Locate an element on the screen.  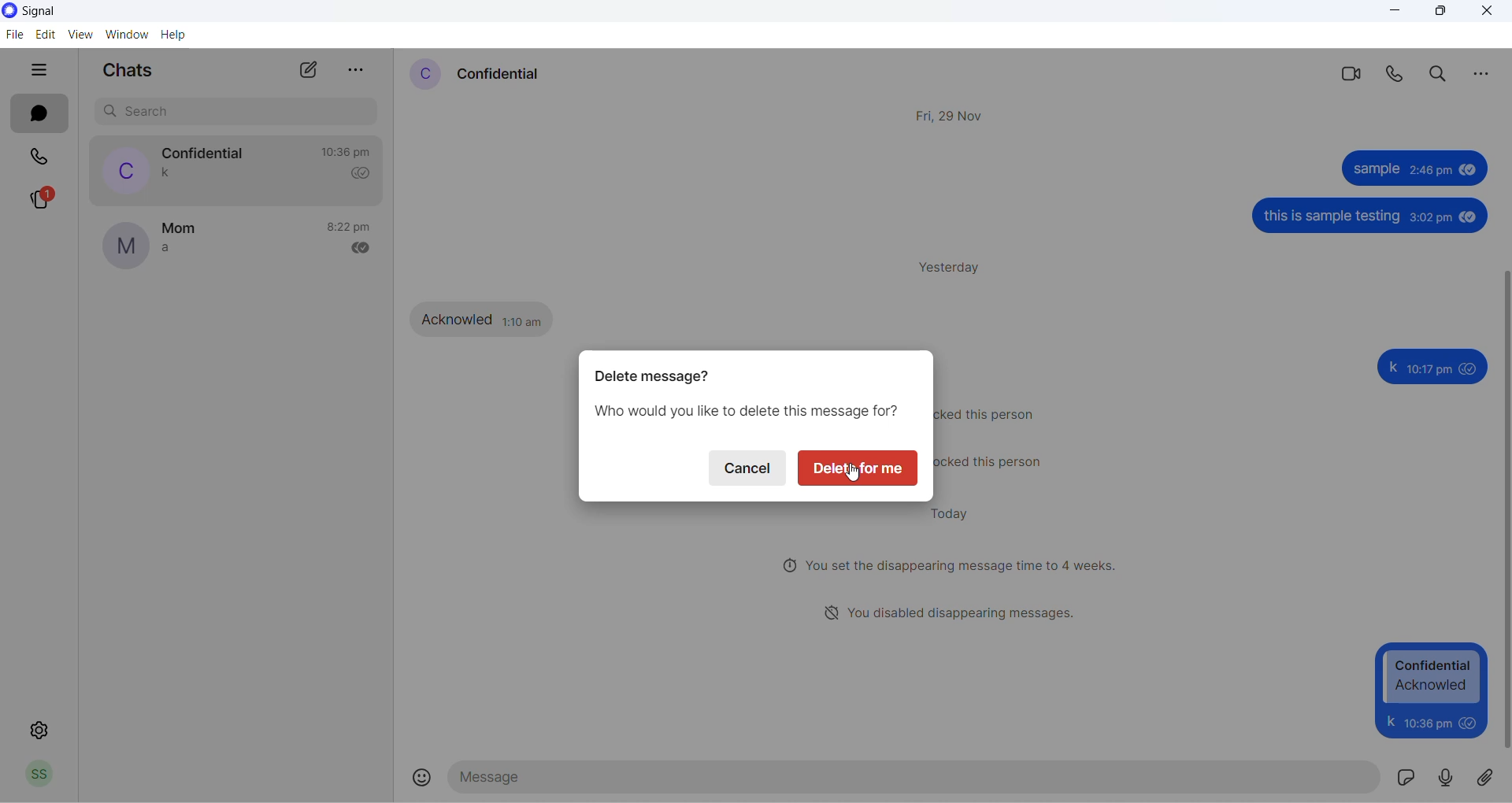
help is located at coordinates (176, 37).